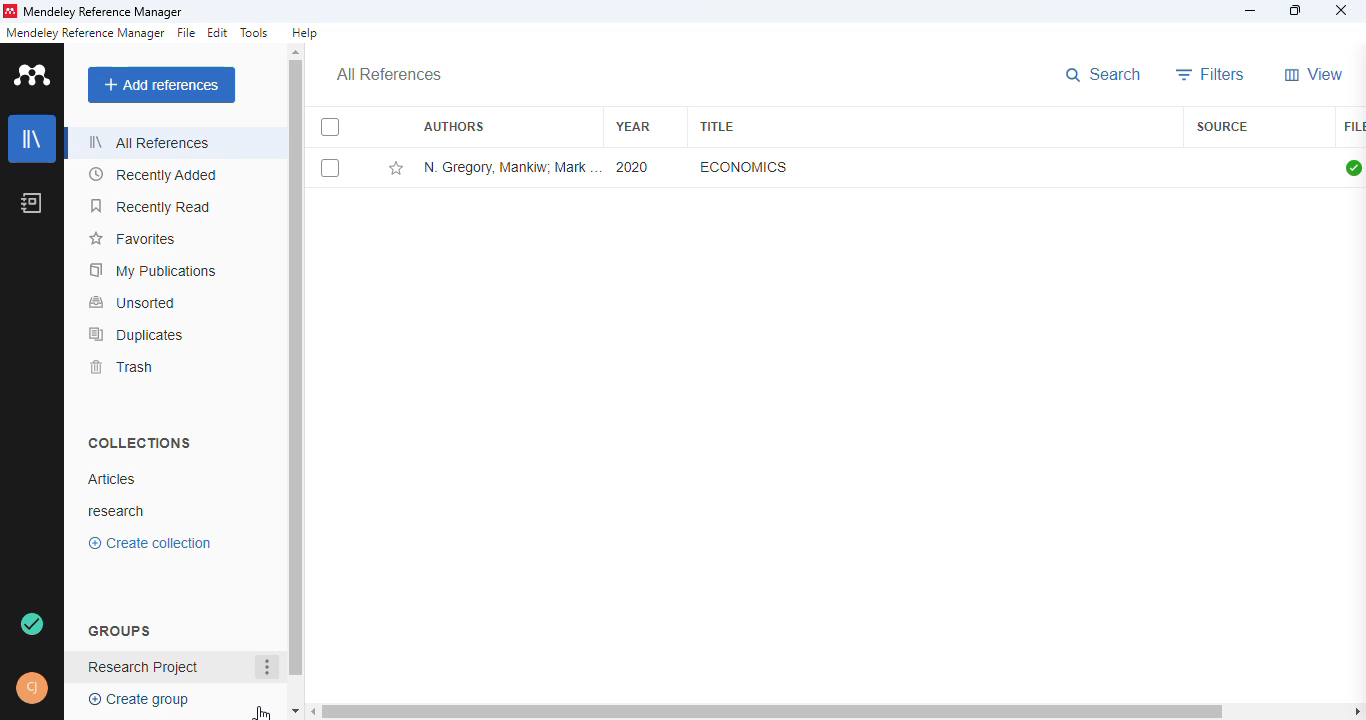  Describe the element at coordinates (633, 126) in the screenshot. I see `year` at that location.